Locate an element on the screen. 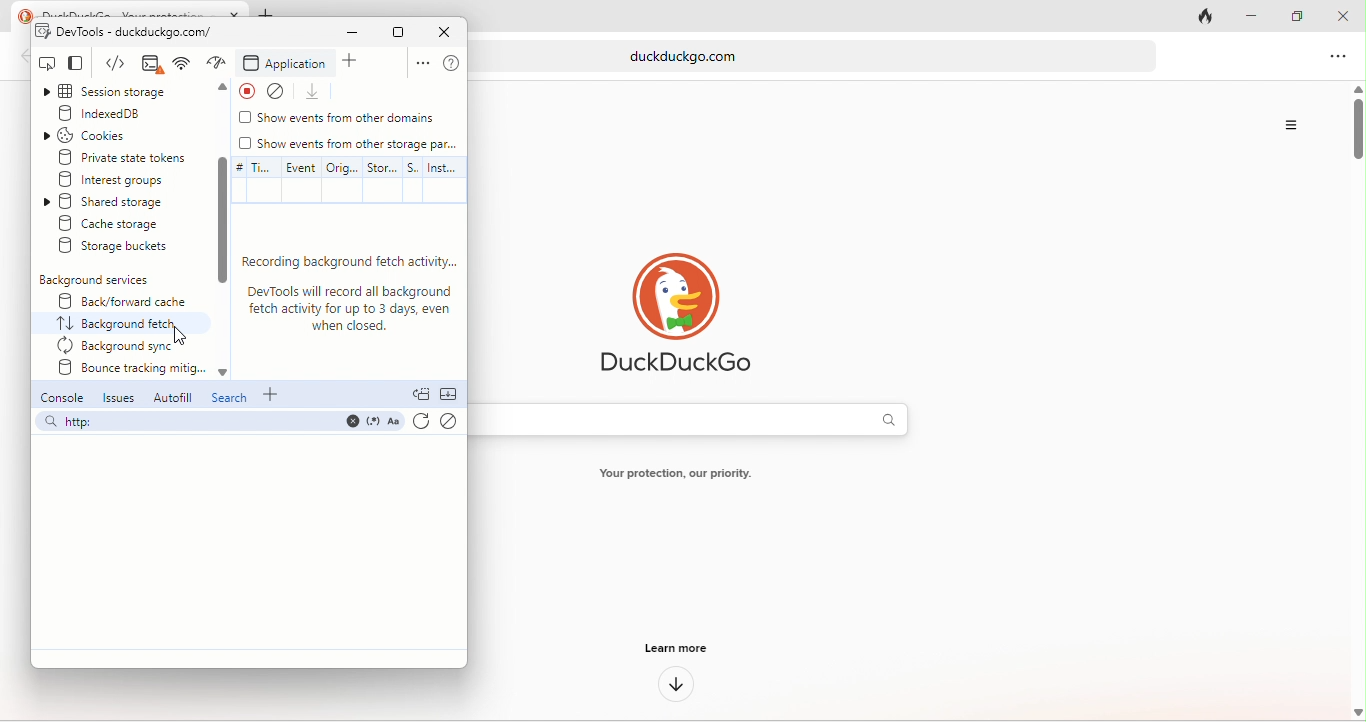 The height and width of the screenshot is (722, 1366). cookies is located at coordinates (105, 135).